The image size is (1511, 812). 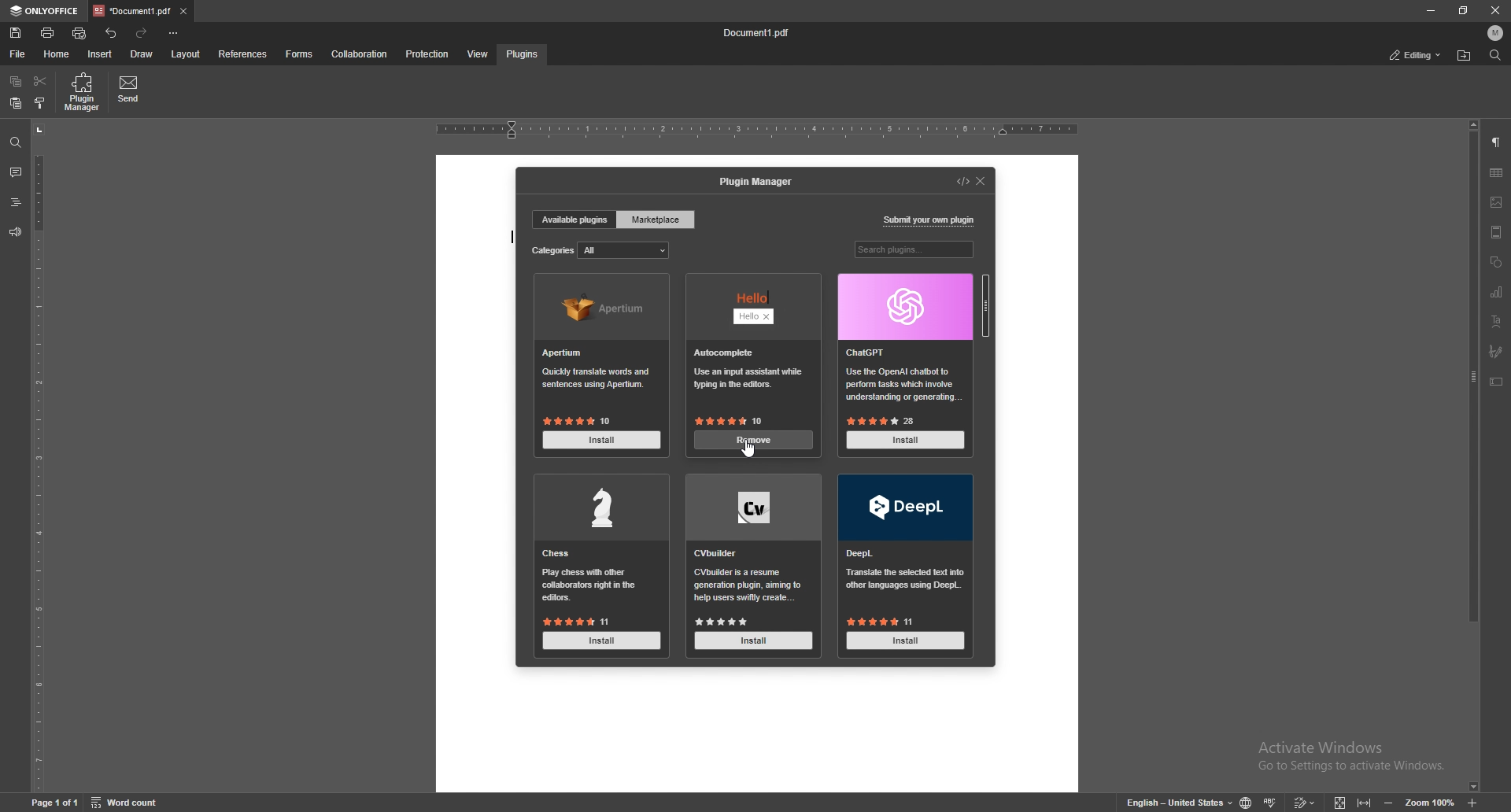 What do you see at coordinates (15, 172) in the screenshot?
I see `comment` at bounding box center [15, 172].